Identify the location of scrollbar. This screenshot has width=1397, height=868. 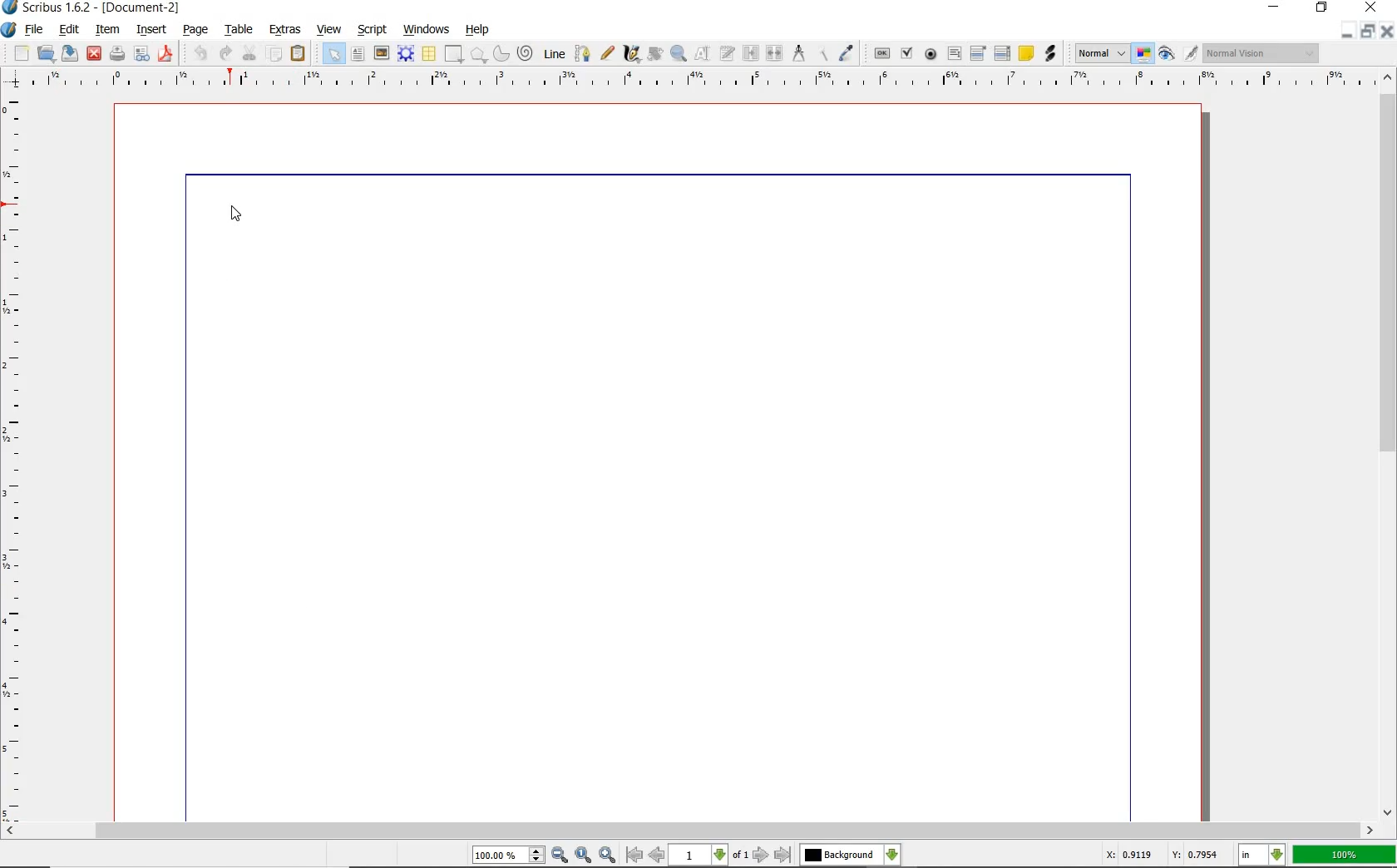
(698, 832).